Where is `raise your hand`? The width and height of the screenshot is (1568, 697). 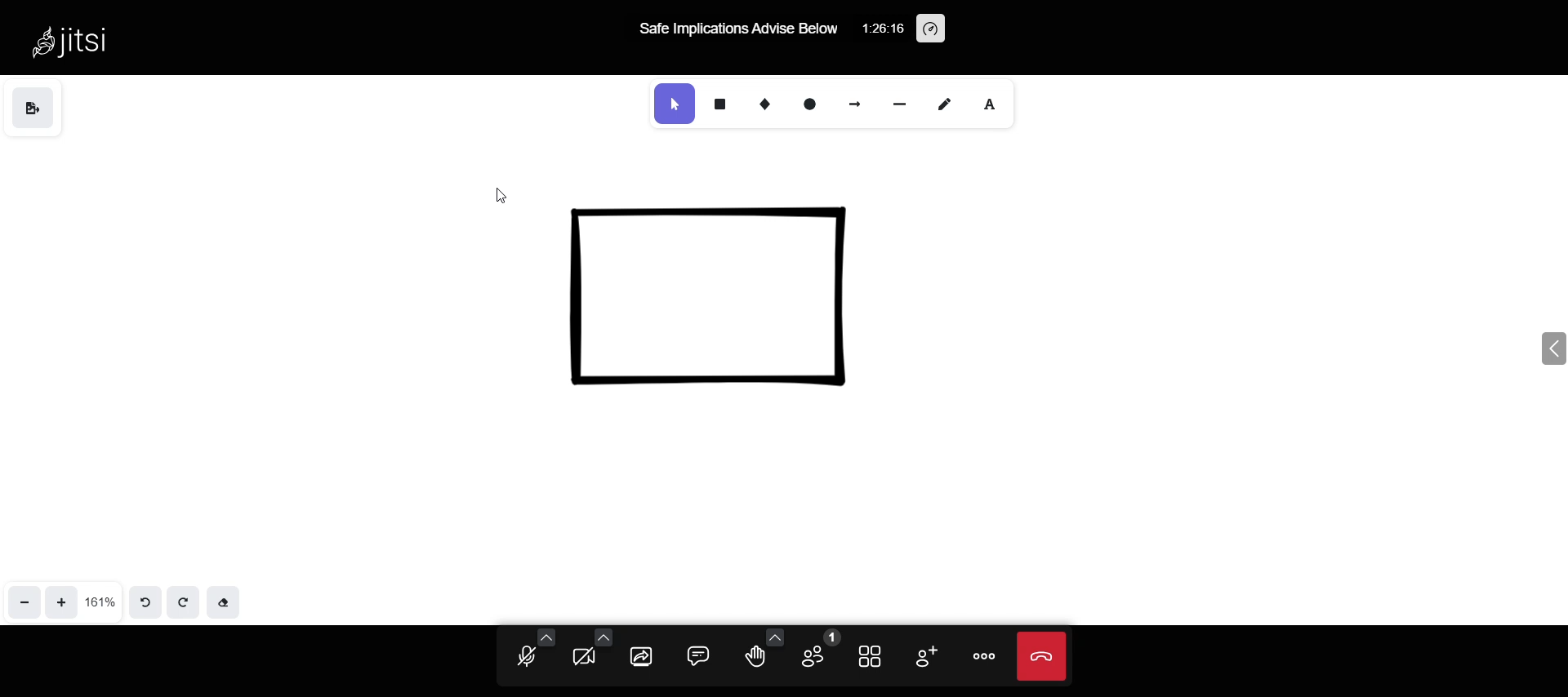 raise your hand is located at coordinates (755, 660).